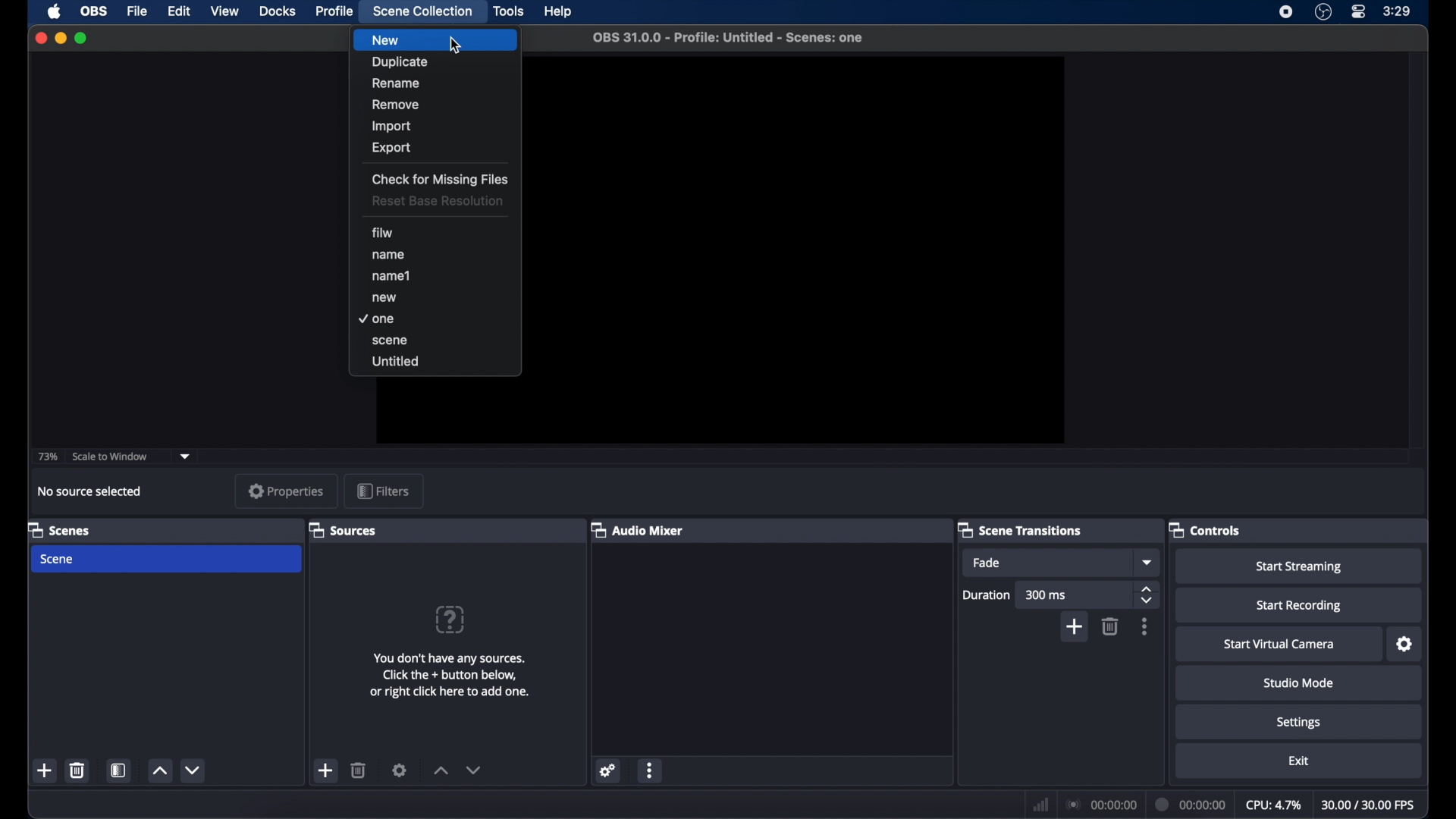 This screenshot has height=819, width=1456. I want to click on close, so click(40, 39).